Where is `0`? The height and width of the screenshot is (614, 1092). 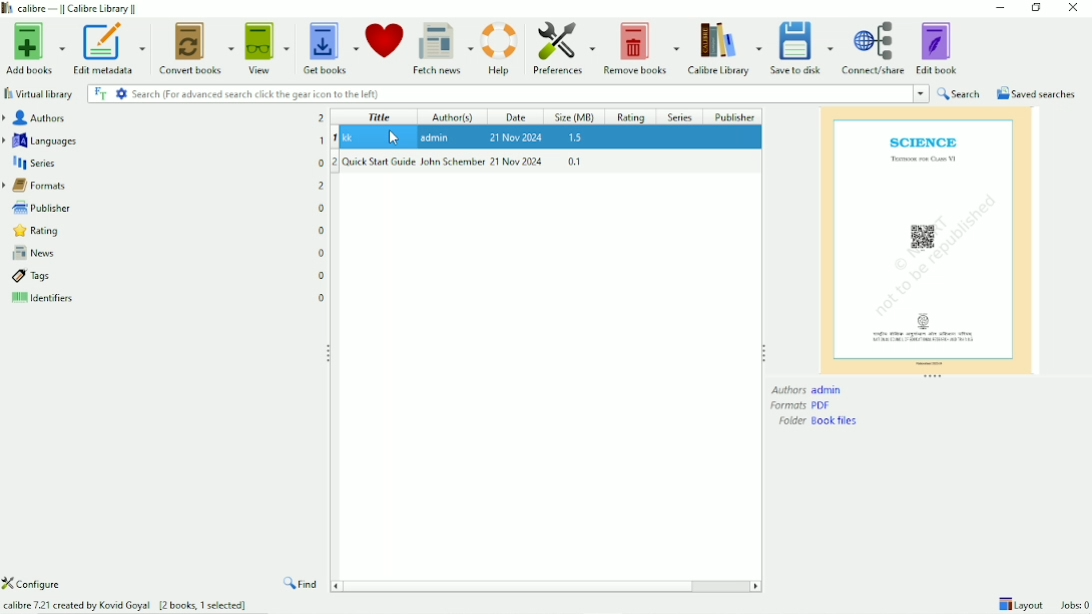 0 is located at coordinates (322, 296).